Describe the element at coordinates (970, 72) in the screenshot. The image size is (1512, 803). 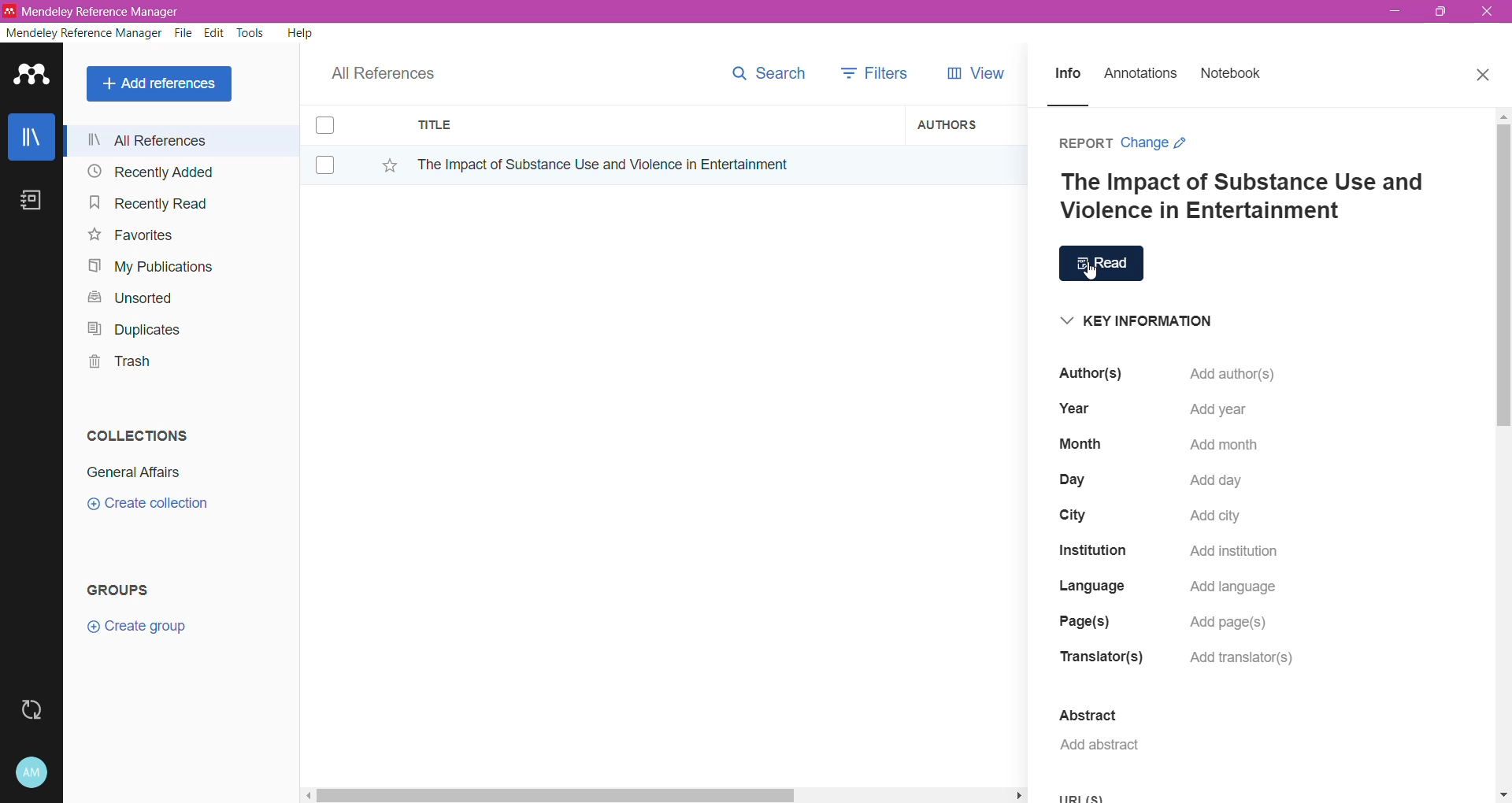
I see `View` at that location.